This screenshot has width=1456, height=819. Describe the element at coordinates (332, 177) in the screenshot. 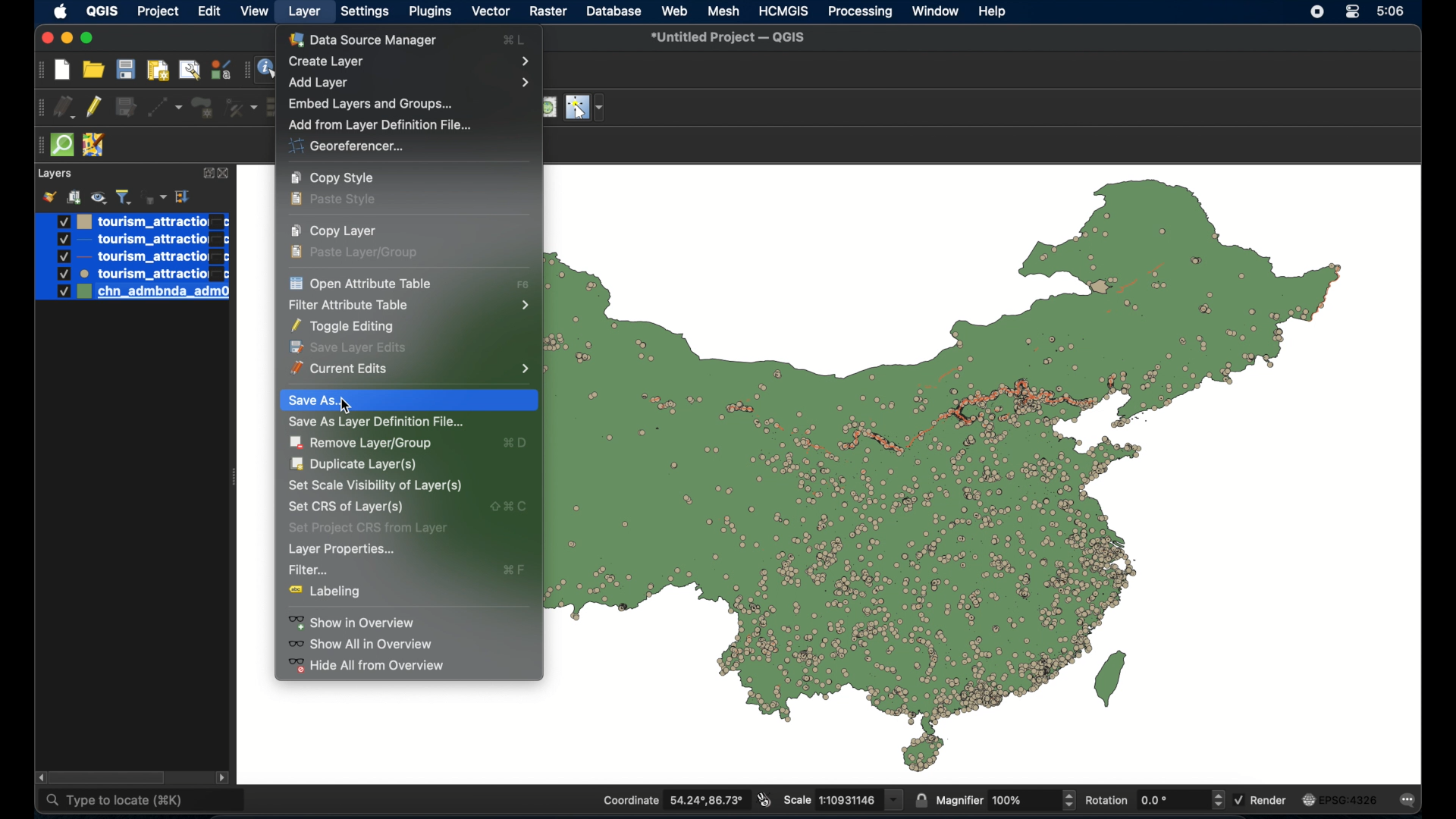

I see `copy style` at that location.